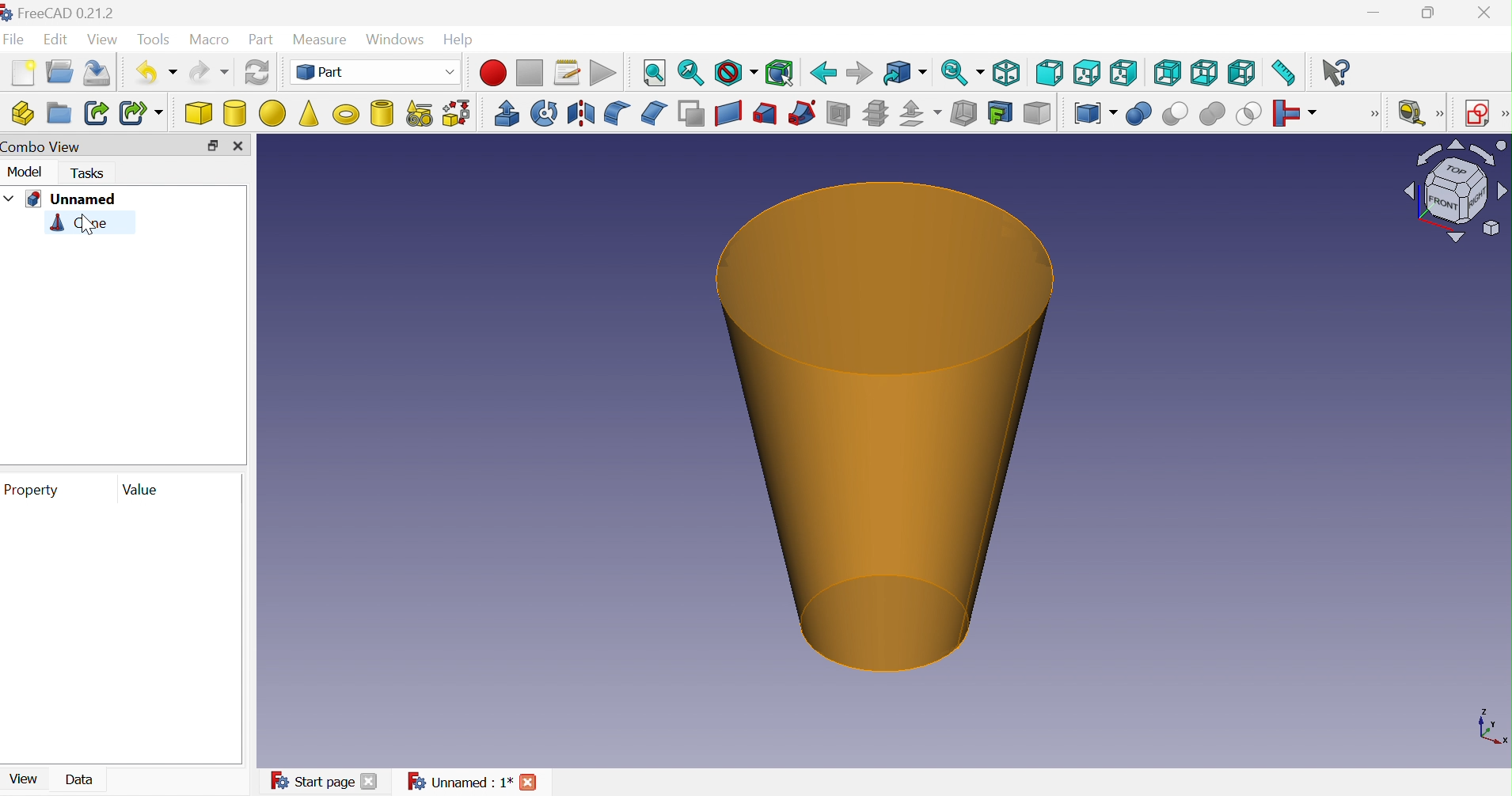  What do you see at coordinates (1378, 118) in the screenshot?
I see `[Boolean]` at bounding box center [1378, 118].